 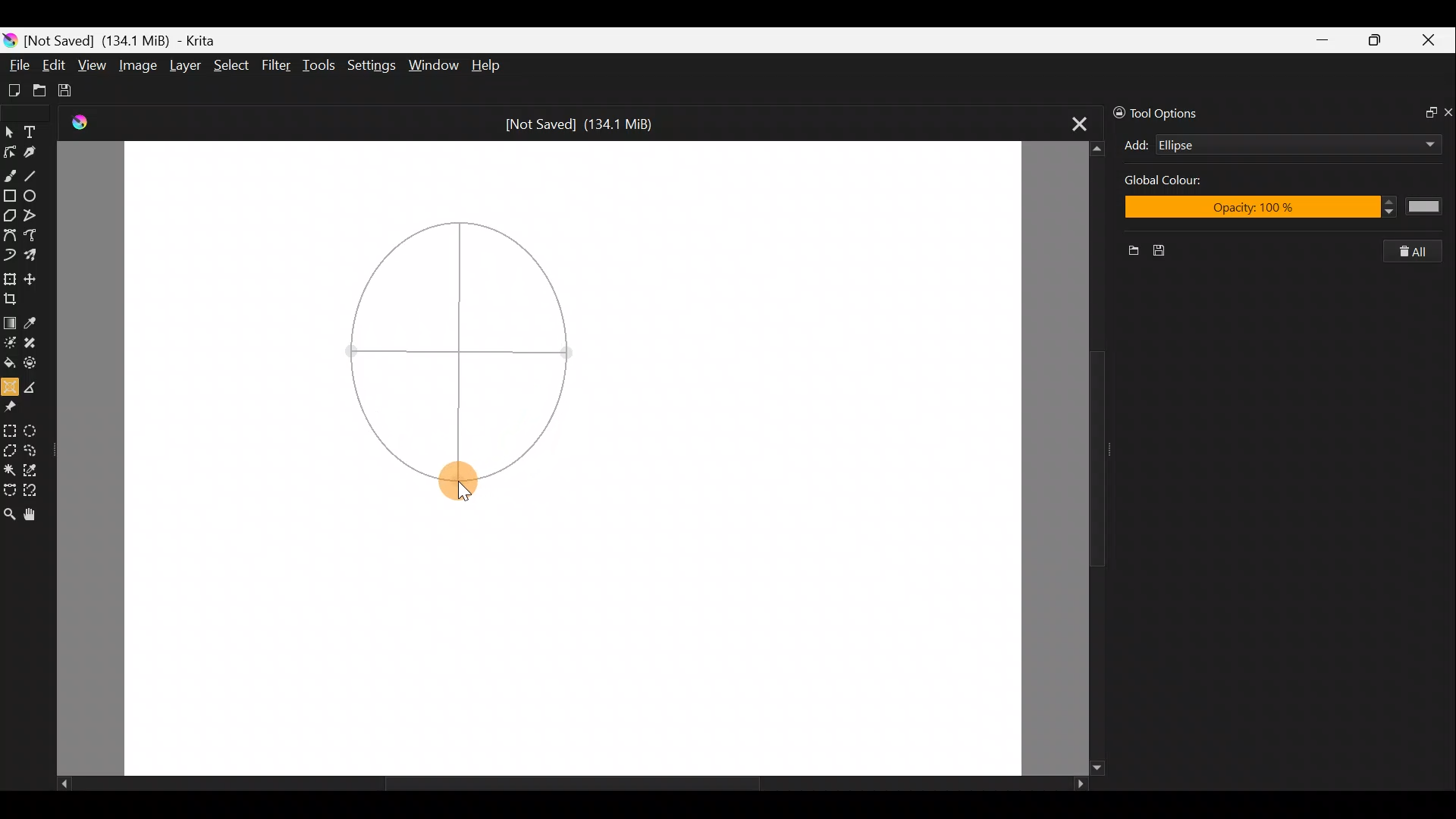 What do you see at coordinates (1379, 39) in the screenshot?
I see `Maximize` at bounding box center [1379, 39].